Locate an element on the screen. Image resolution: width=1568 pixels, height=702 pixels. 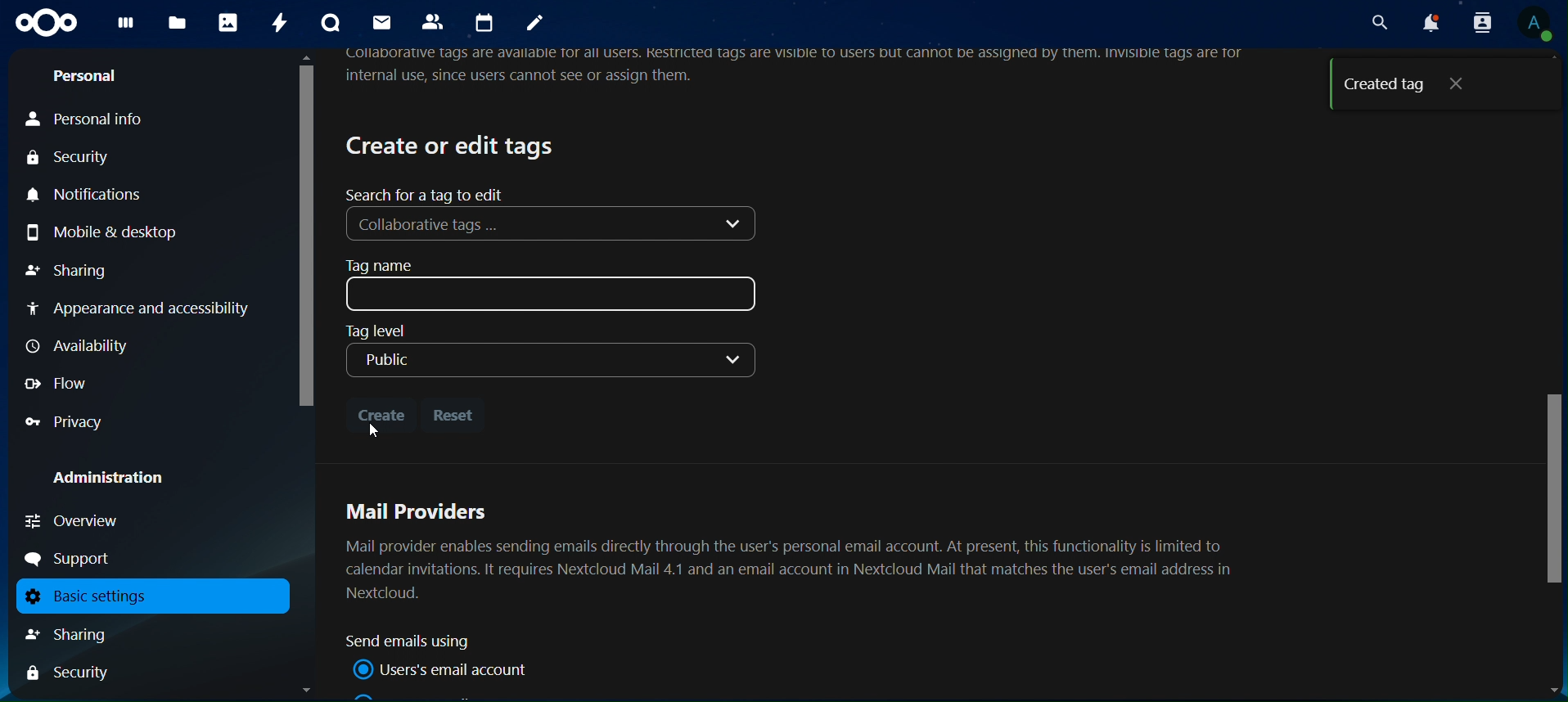
tag name is located at coordinates (555, 285).